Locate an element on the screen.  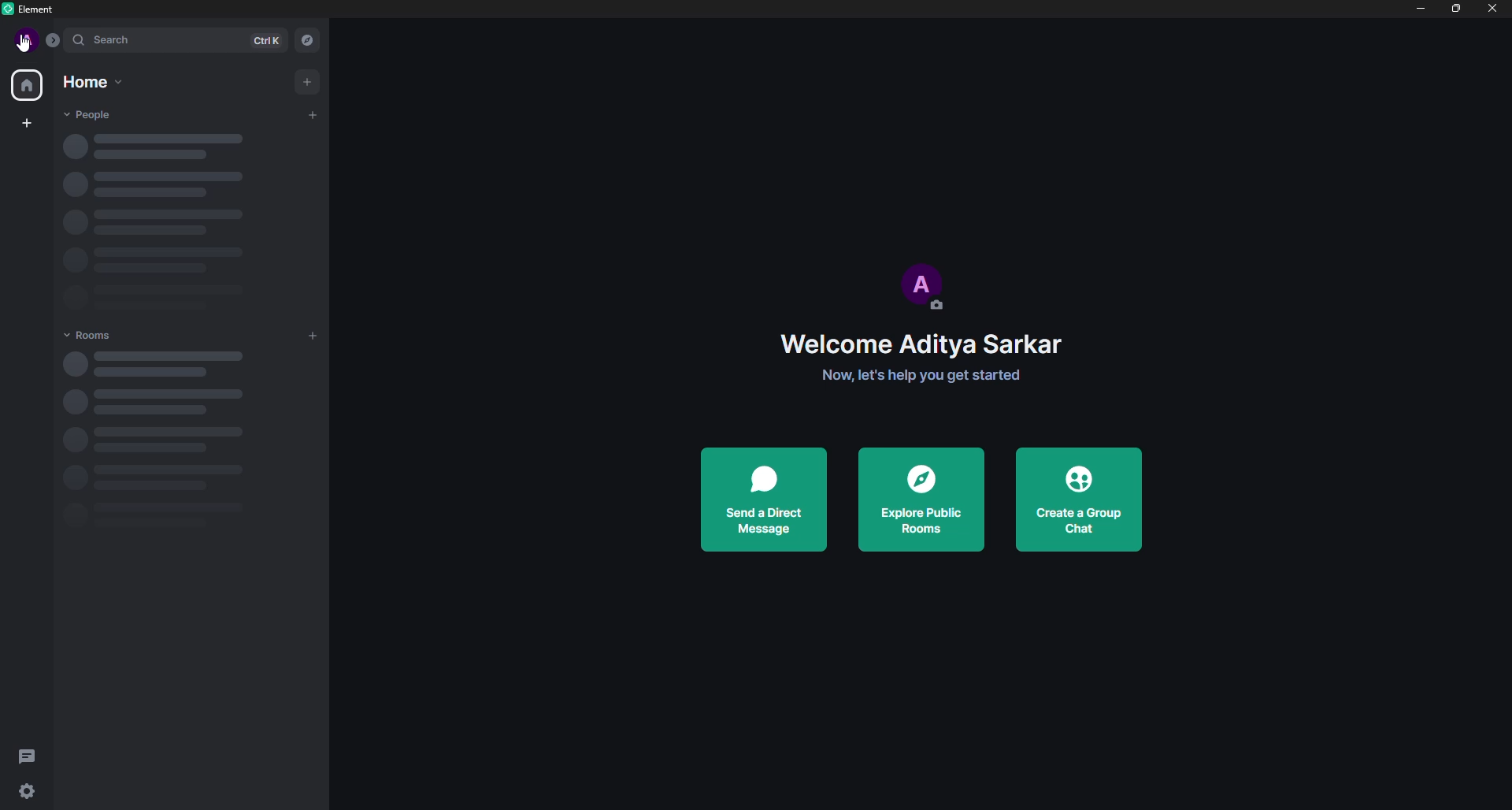
explore public rooms is located at coordinates (918, 500).